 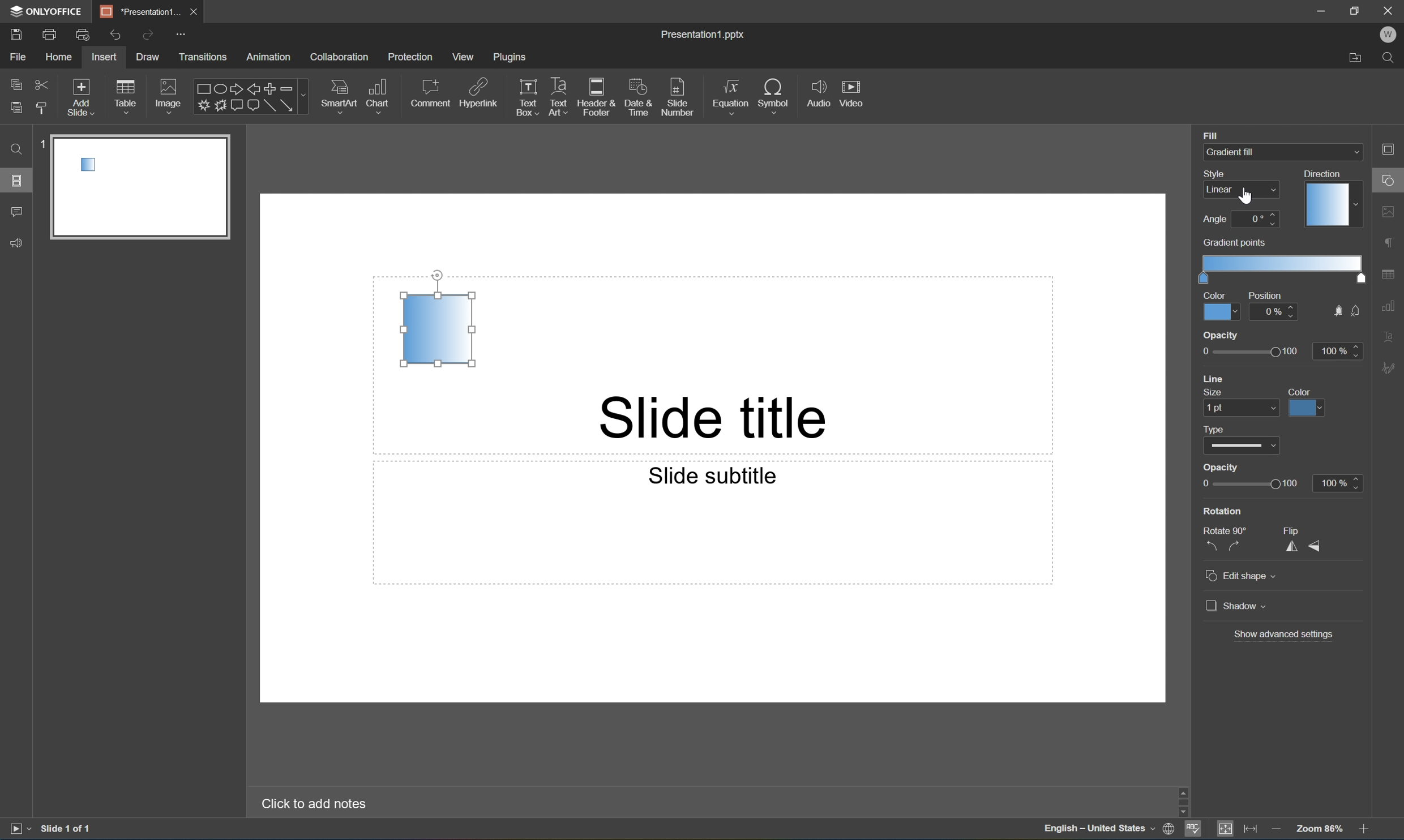 What do you see at coordinates (1319, 828) in the screenshot?
I see `Zoom 103%` at bounding box center [1319, 828].